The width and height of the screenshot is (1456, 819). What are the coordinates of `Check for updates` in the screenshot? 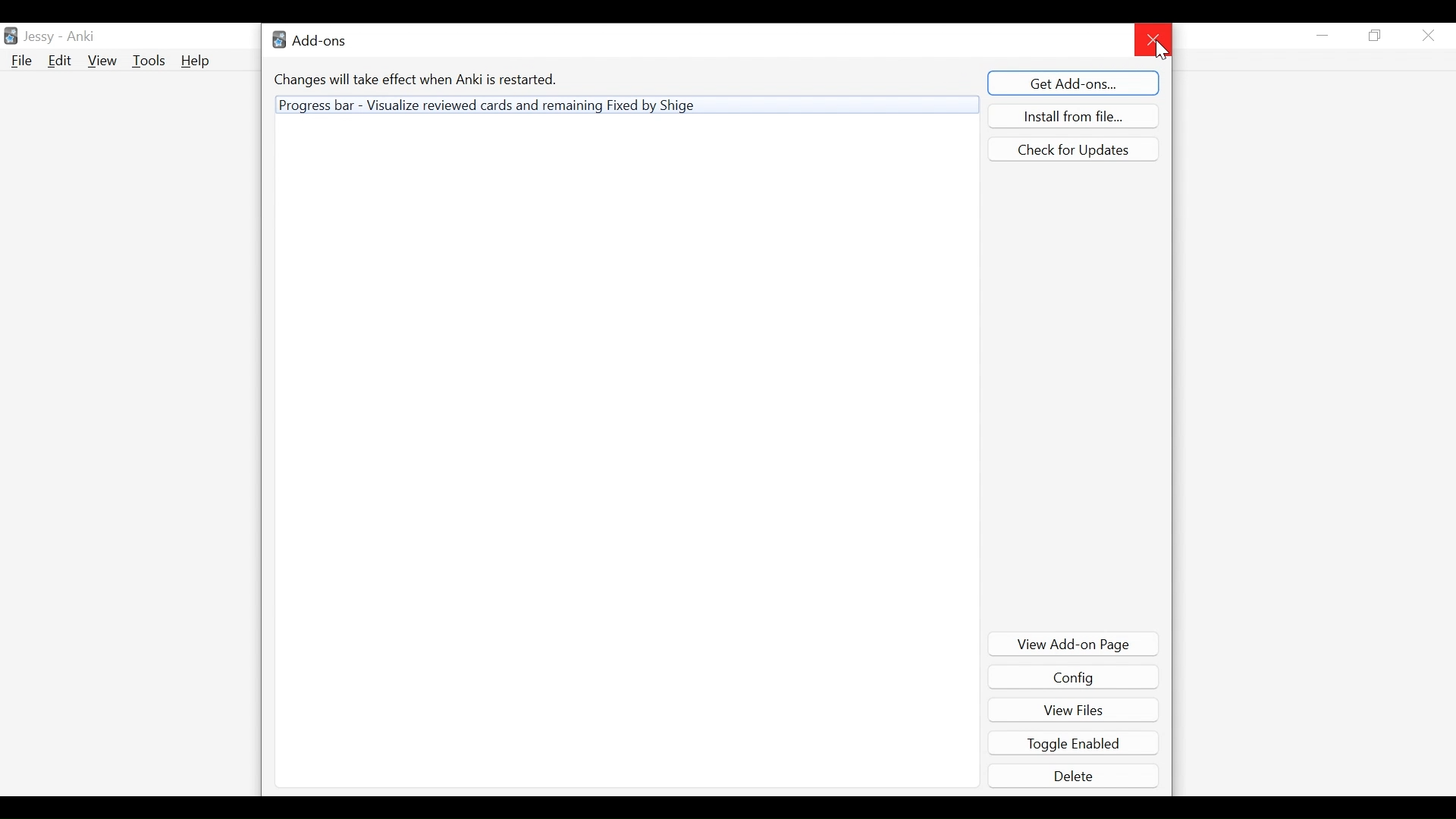 It's located at (1072, 149).